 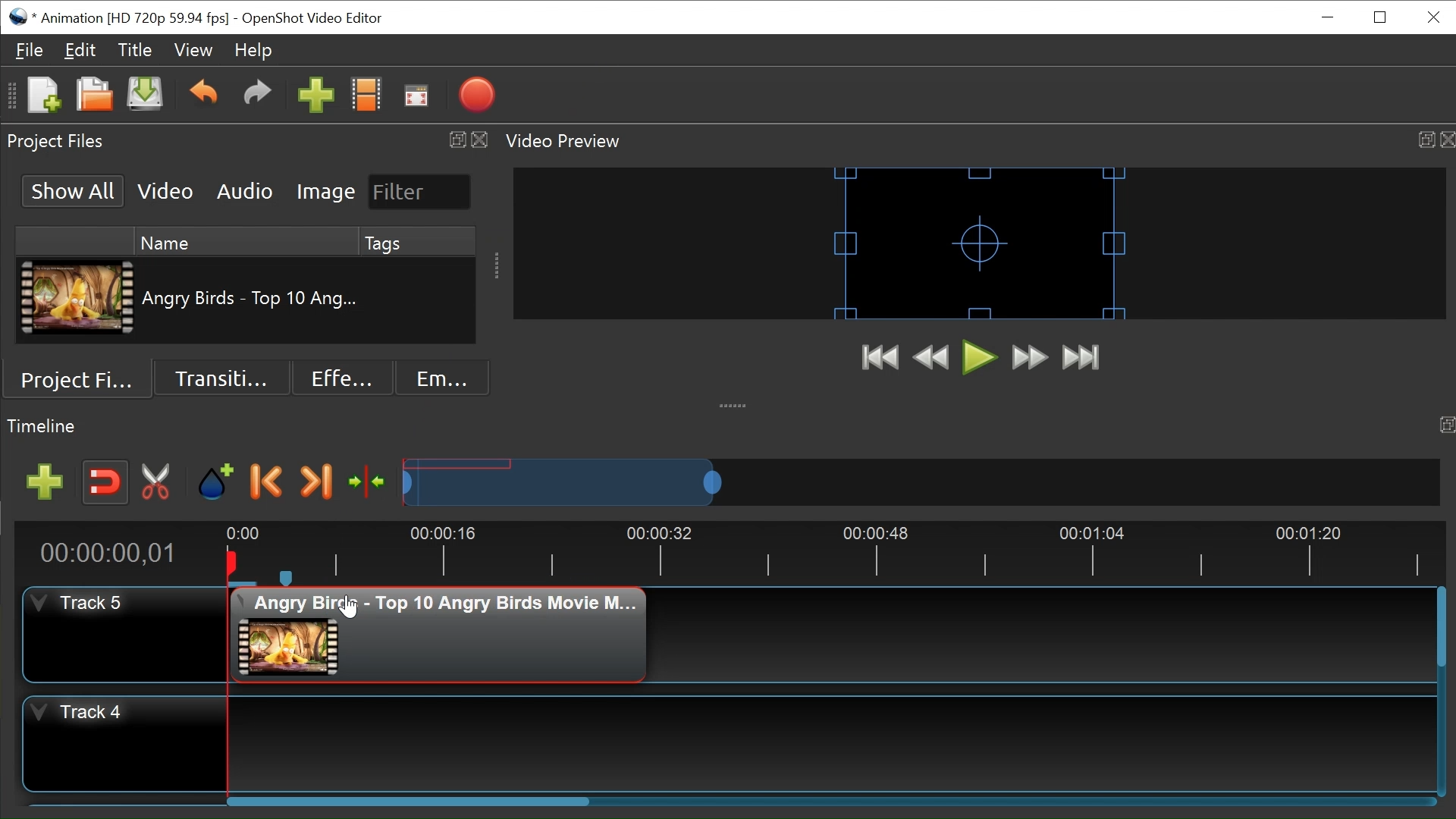 What do you see at coordinates (1329, 17) in the screenshot?
I see `minimize` at bounding box center [1329, 17].